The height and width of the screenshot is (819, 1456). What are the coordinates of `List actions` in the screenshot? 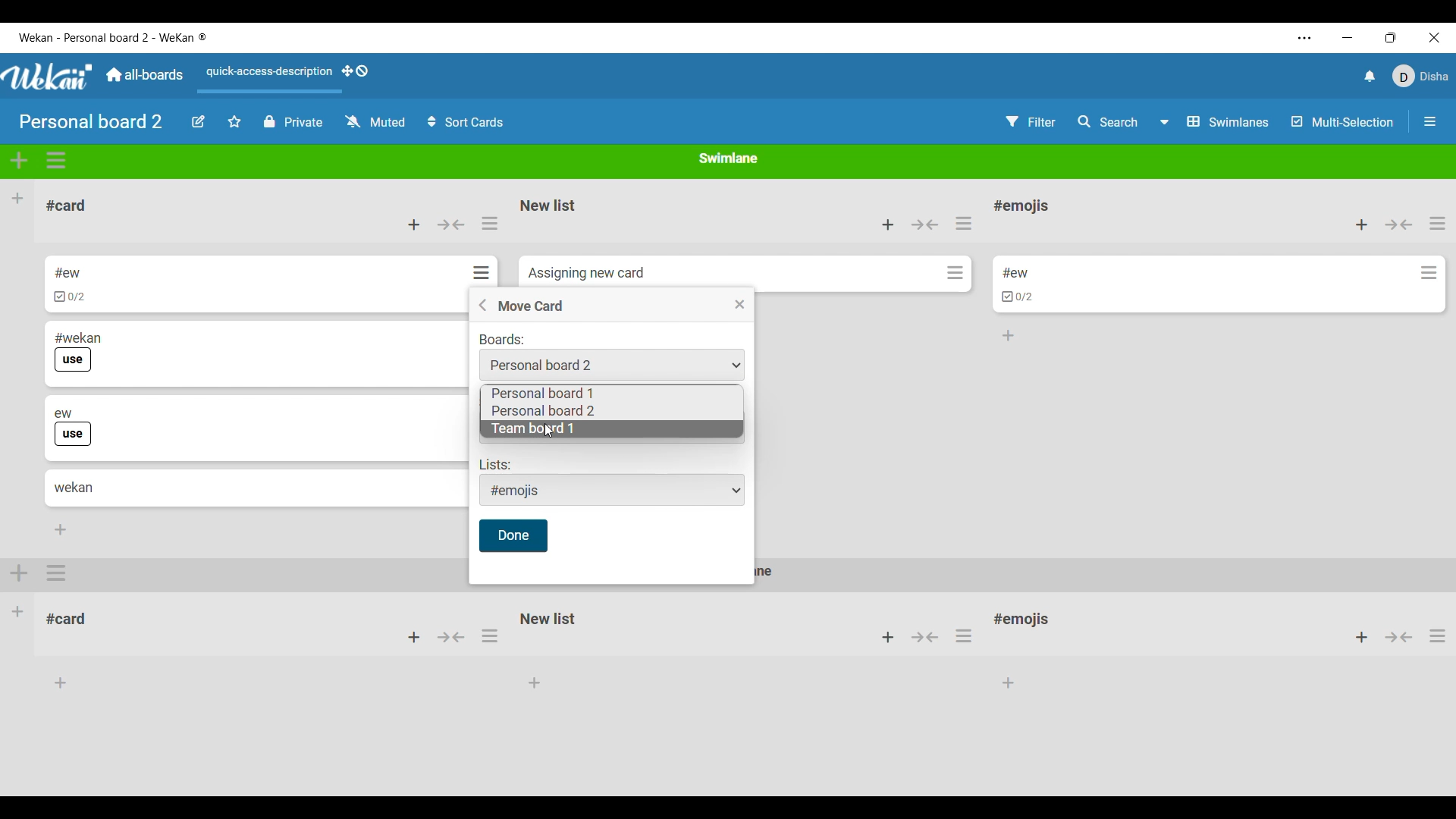 It's located at (963, 223).